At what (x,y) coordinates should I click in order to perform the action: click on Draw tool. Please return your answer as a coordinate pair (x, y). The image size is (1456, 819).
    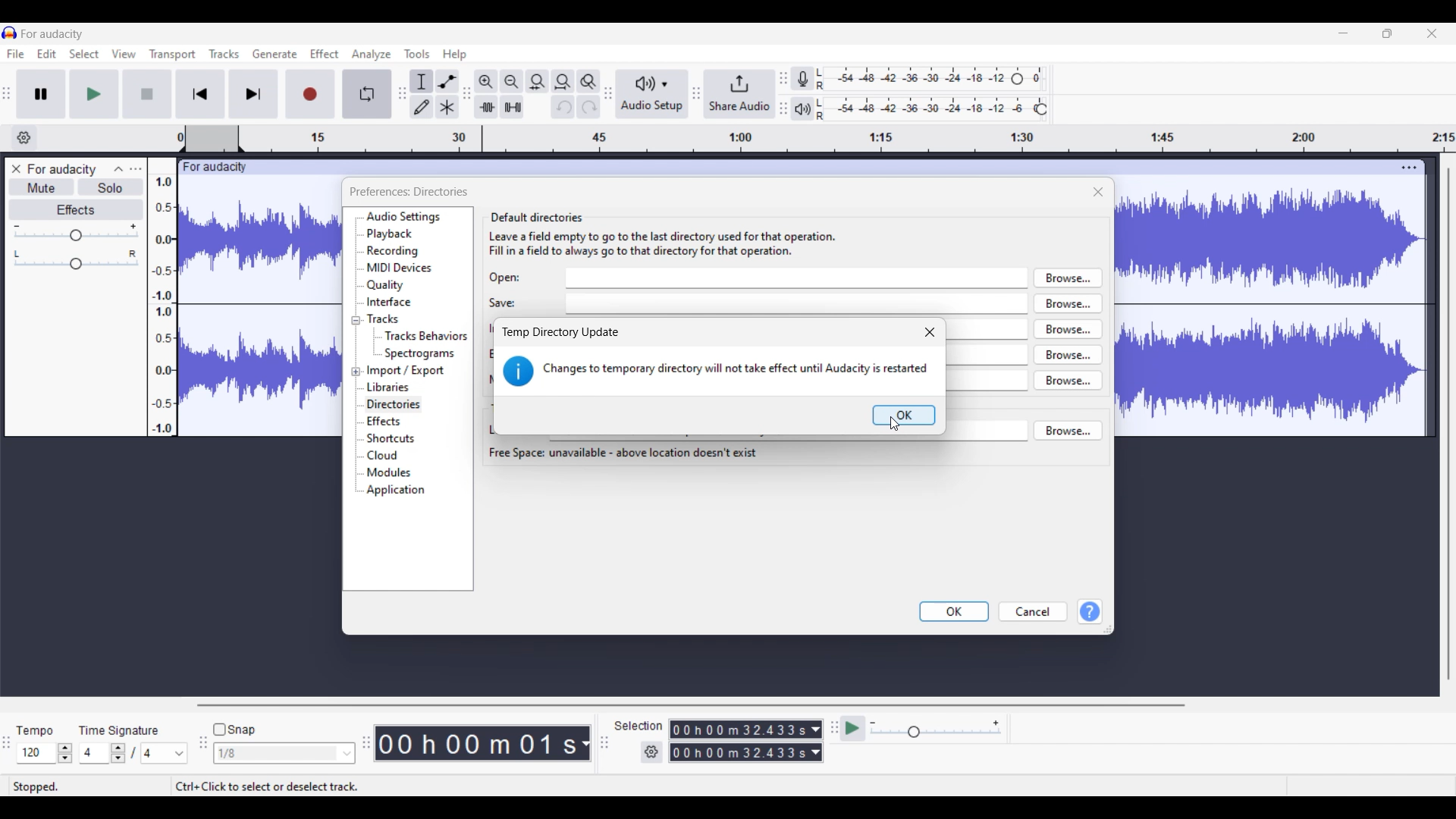
    Looking at the image, I should click on (422, 106).